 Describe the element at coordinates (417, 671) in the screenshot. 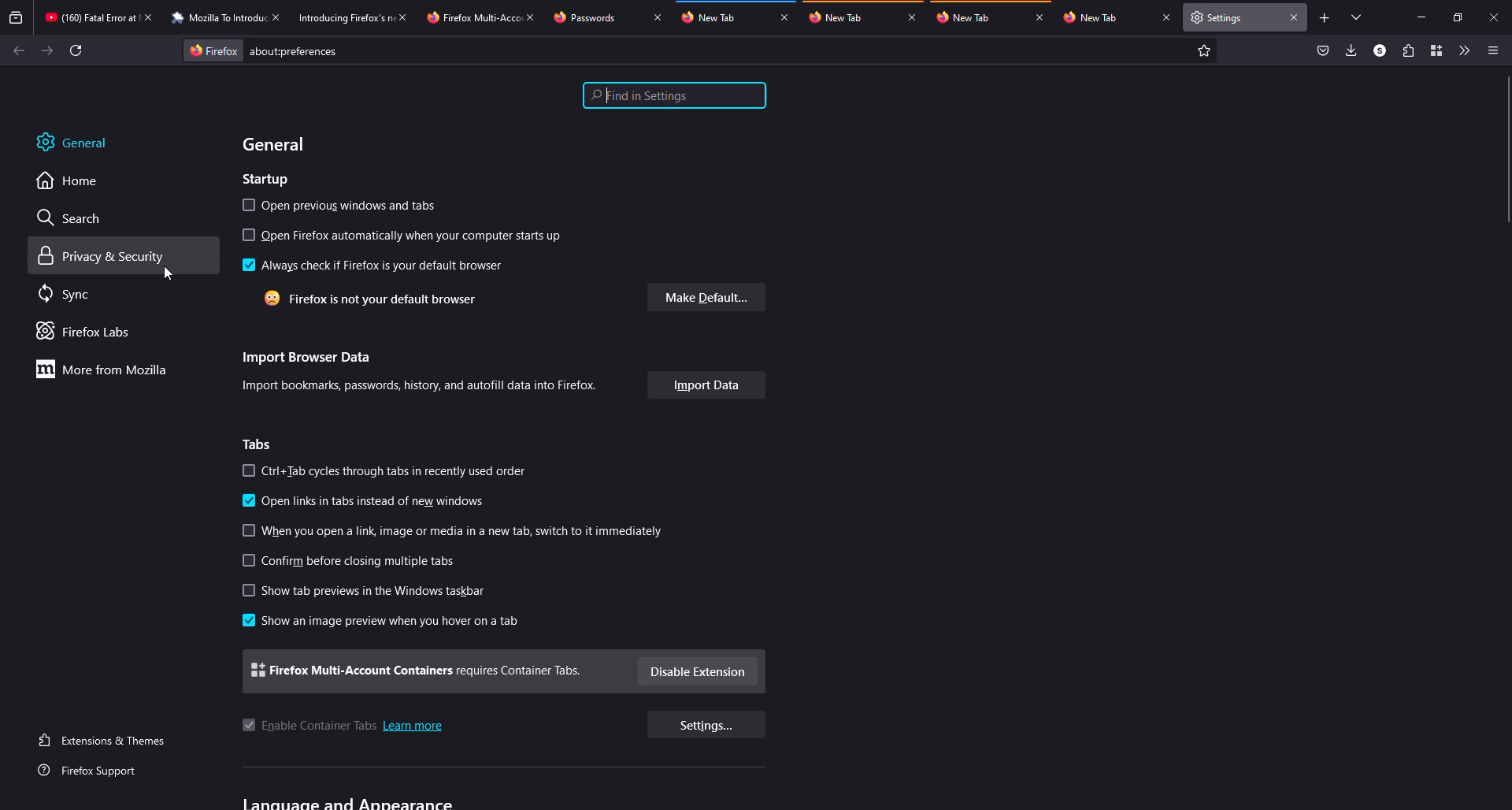

I see `multi account container` at that location.